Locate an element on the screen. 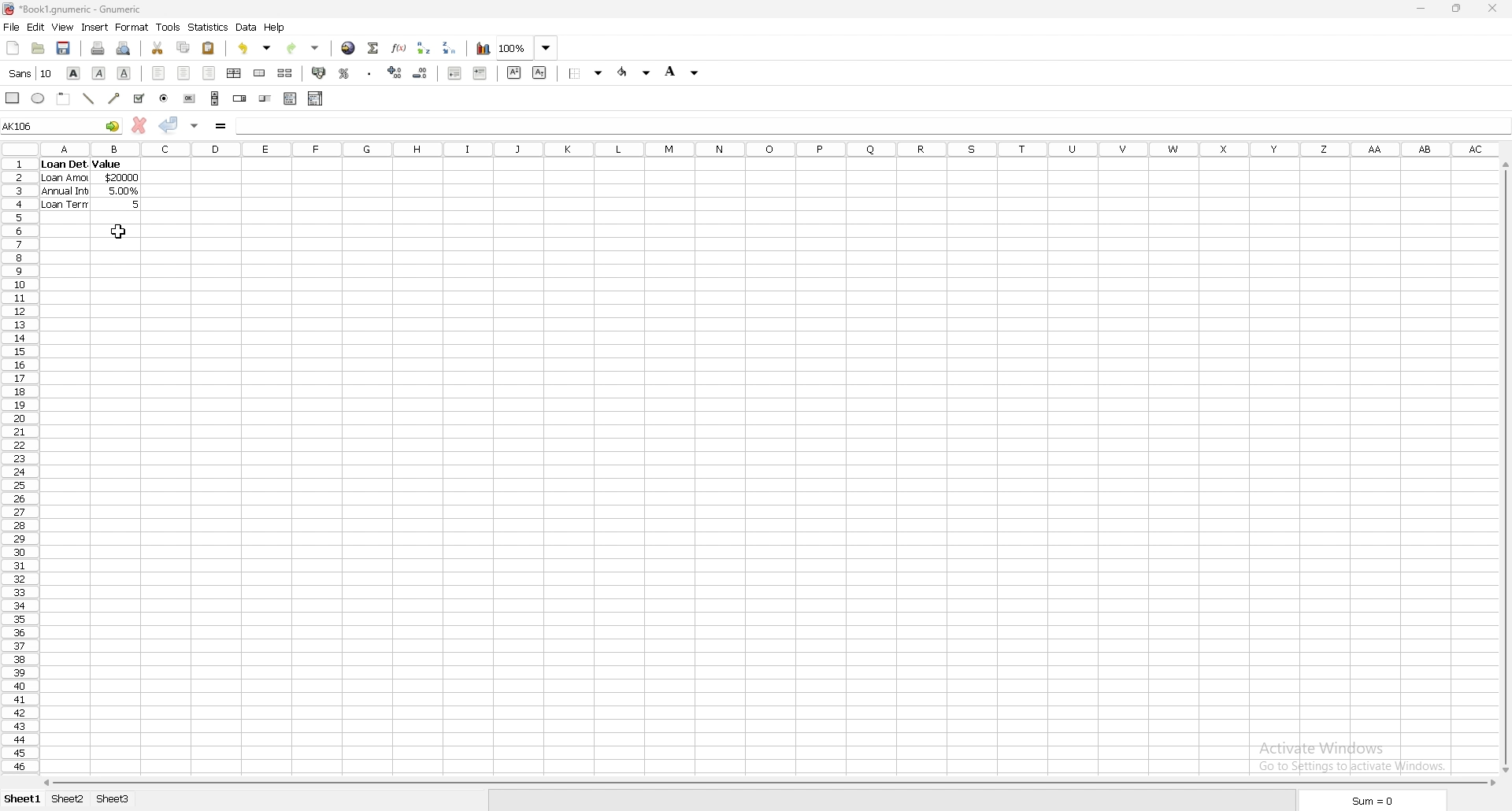 This screenshot has height=811, width=1512. file is located at coordinates (11, 27).